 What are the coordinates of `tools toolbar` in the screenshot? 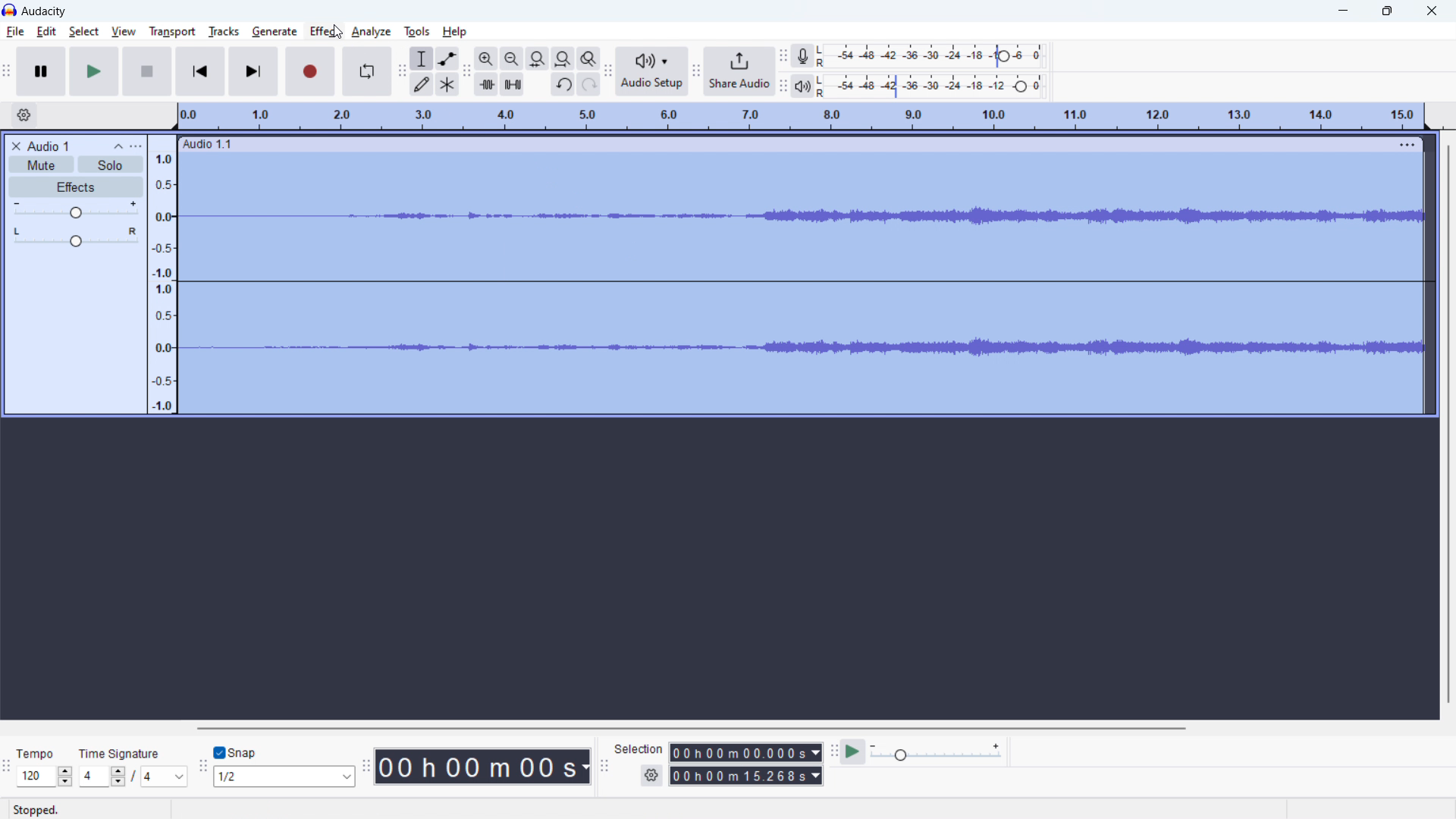 It's located at (400, 71).